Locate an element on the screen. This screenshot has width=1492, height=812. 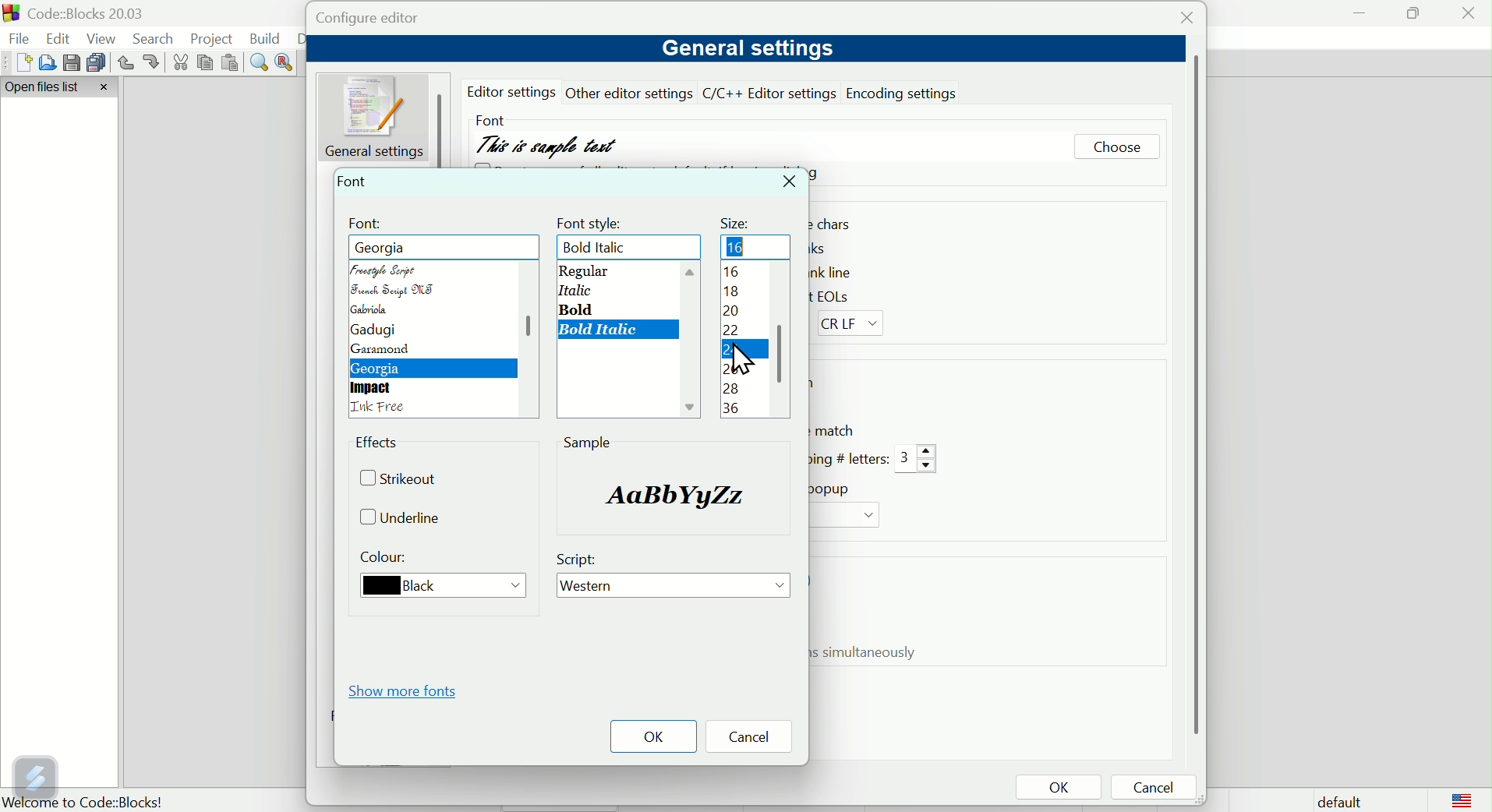
save is located at coordinates (69, 61).